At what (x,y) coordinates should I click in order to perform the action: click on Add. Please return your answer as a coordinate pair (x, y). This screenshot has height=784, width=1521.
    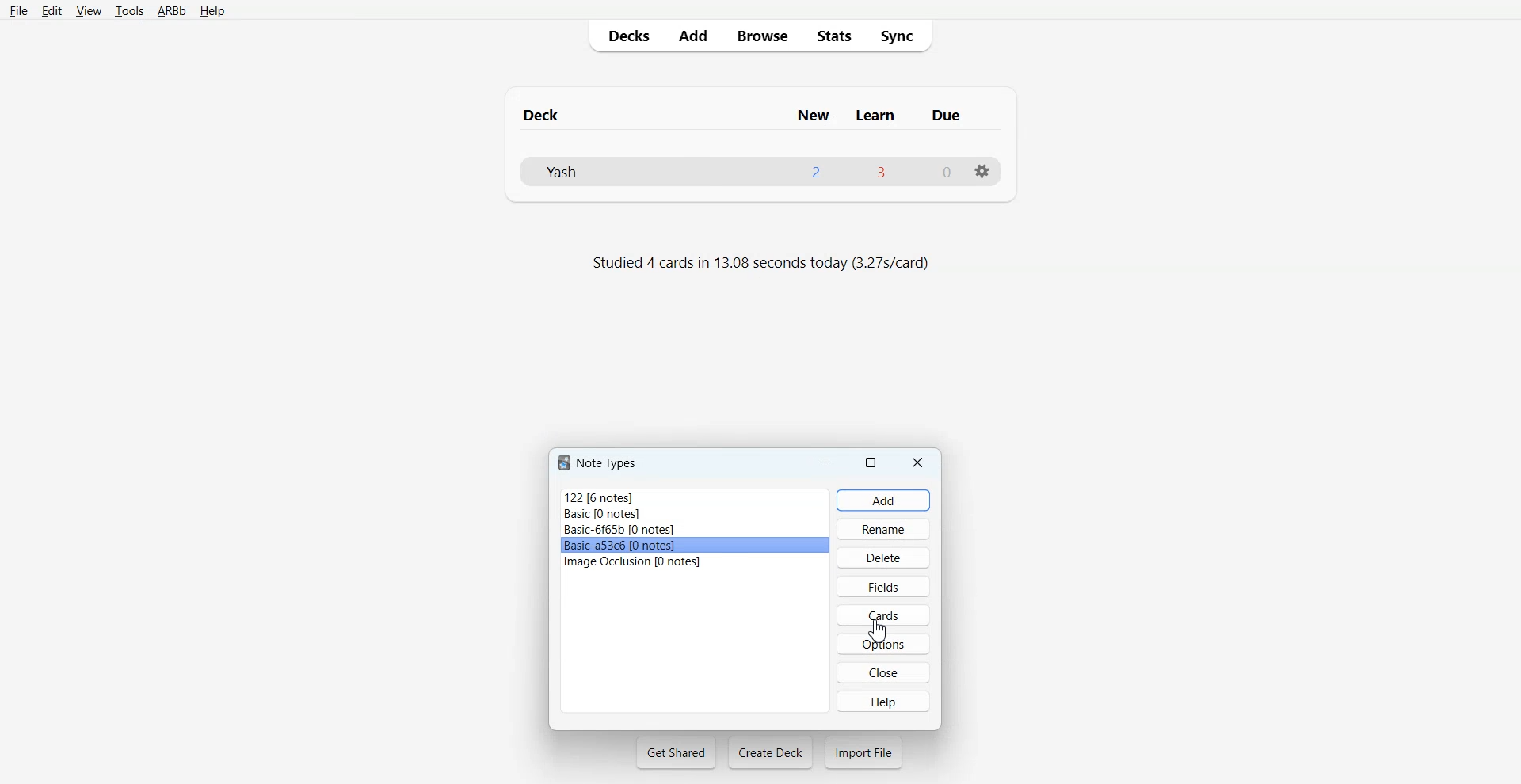
    Looking at the image, I should click on (884, 500).